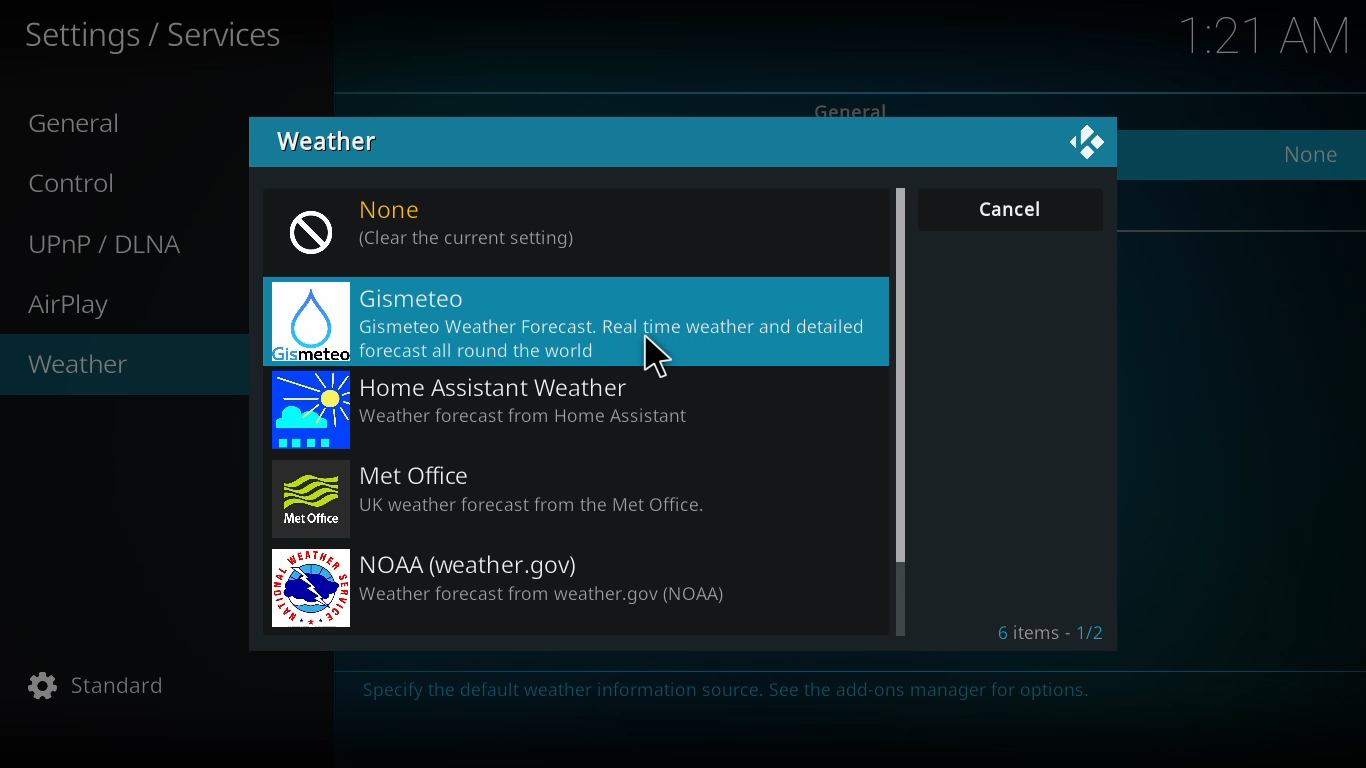 The width and height of the screenshot is (1366, 768). What do you see at coordinates (101, 686) in the screenshot?
I see `standard` at bounding box center [101, 686].